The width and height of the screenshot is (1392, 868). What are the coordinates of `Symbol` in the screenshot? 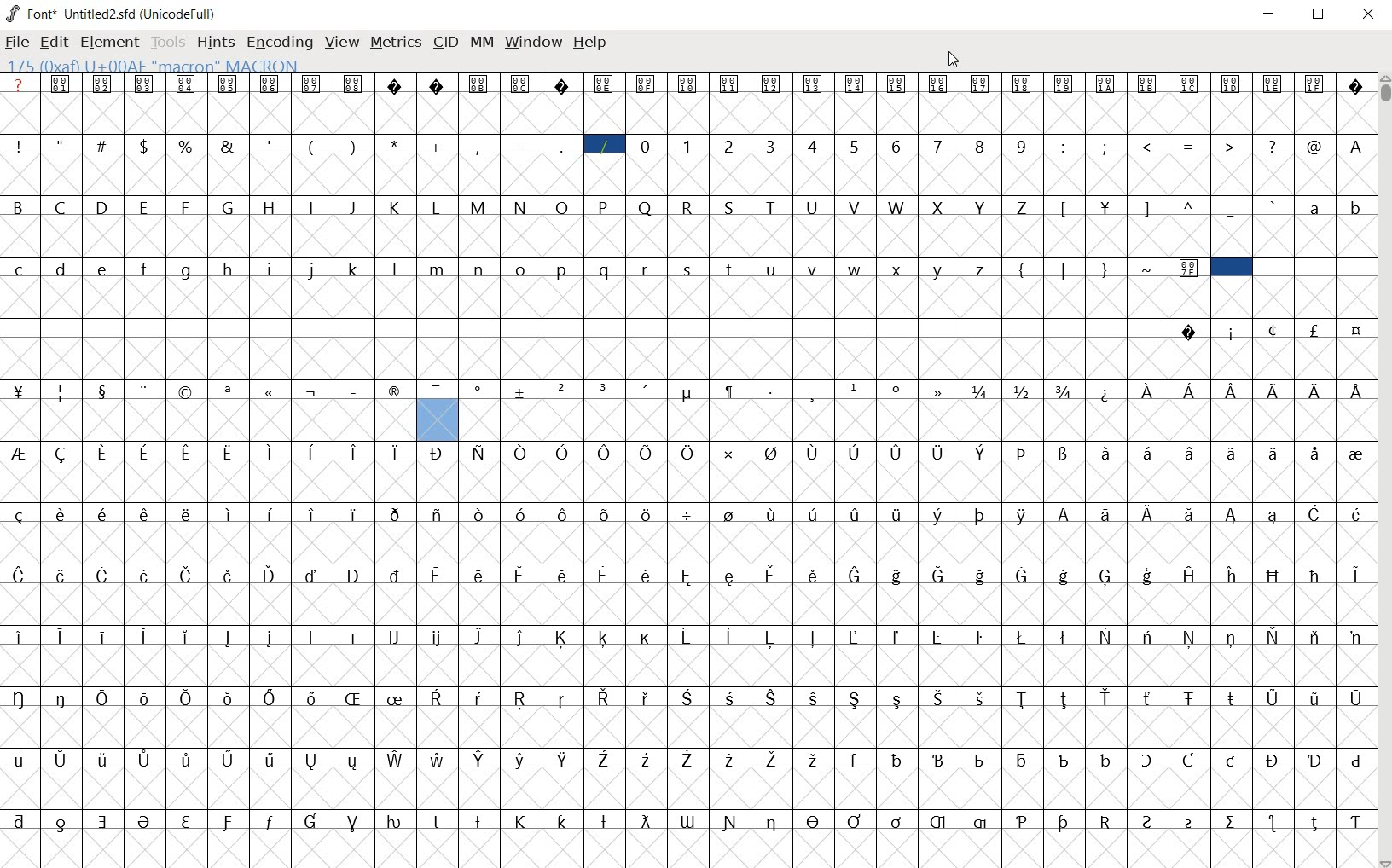 It's located at (521, 391).